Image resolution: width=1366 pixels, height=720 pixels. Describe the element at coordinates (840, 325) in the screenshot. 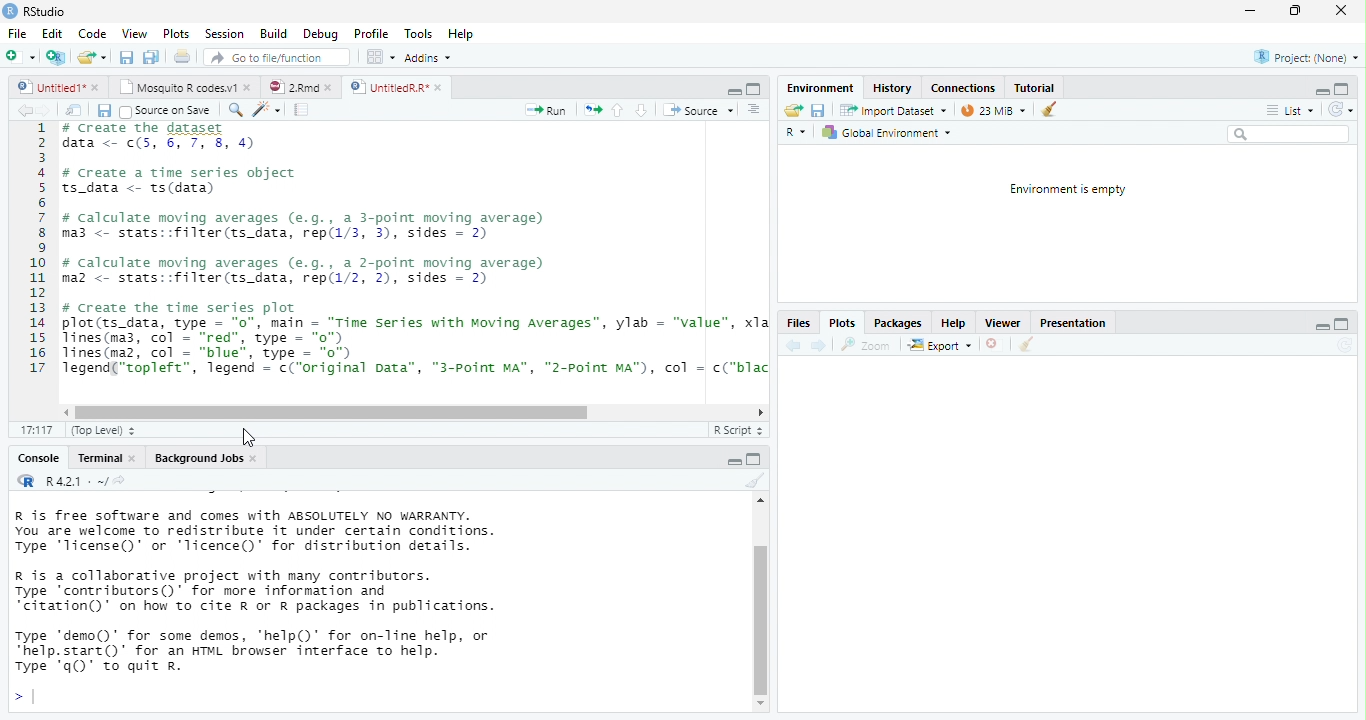

I see `Plots` at that location.